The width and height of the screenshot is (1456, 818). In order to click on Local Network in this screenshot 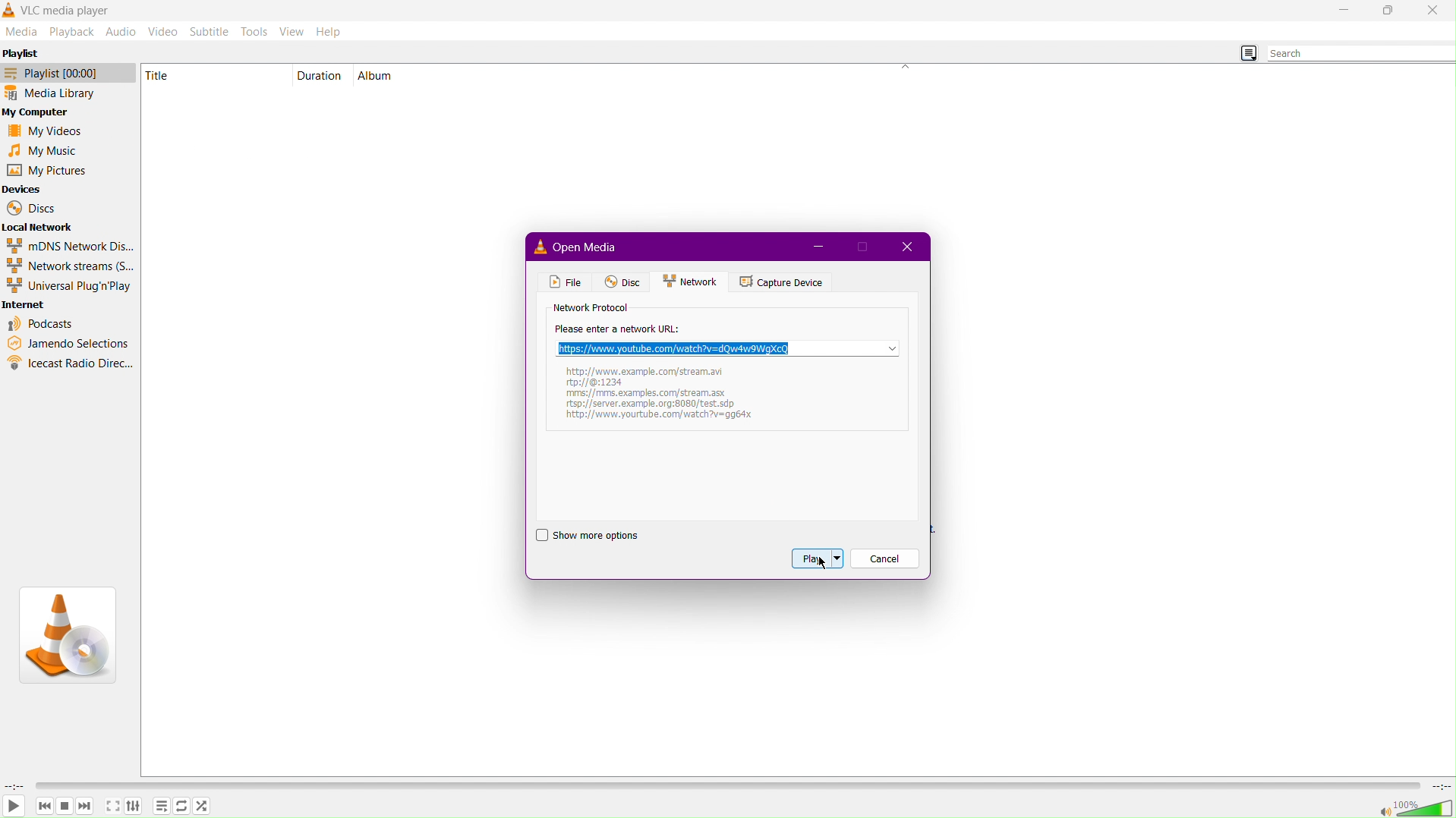, I will do `click(42, 228)`.